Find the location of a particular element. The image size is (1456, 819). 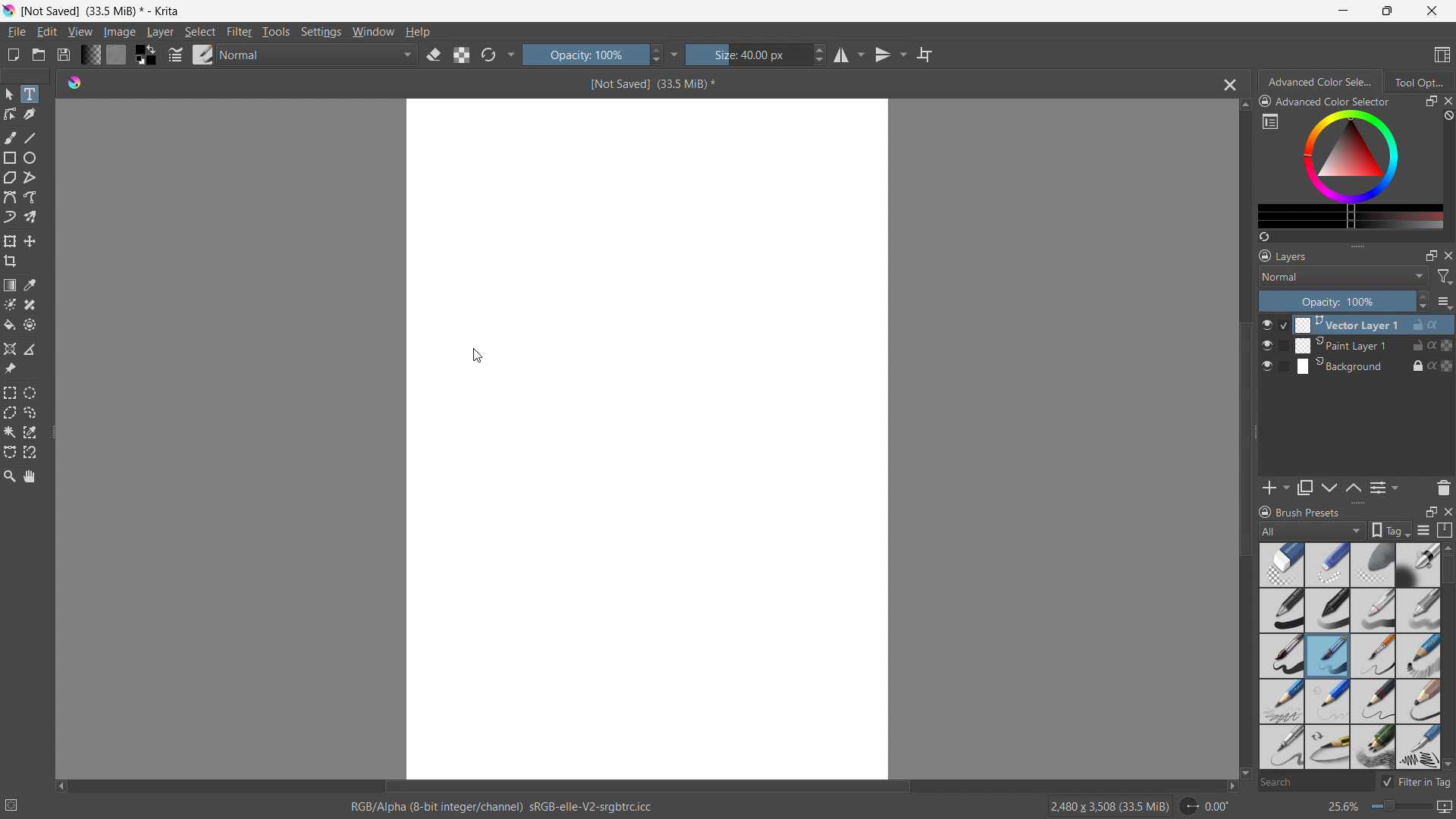

cursor is located at coordinates (477, 356).